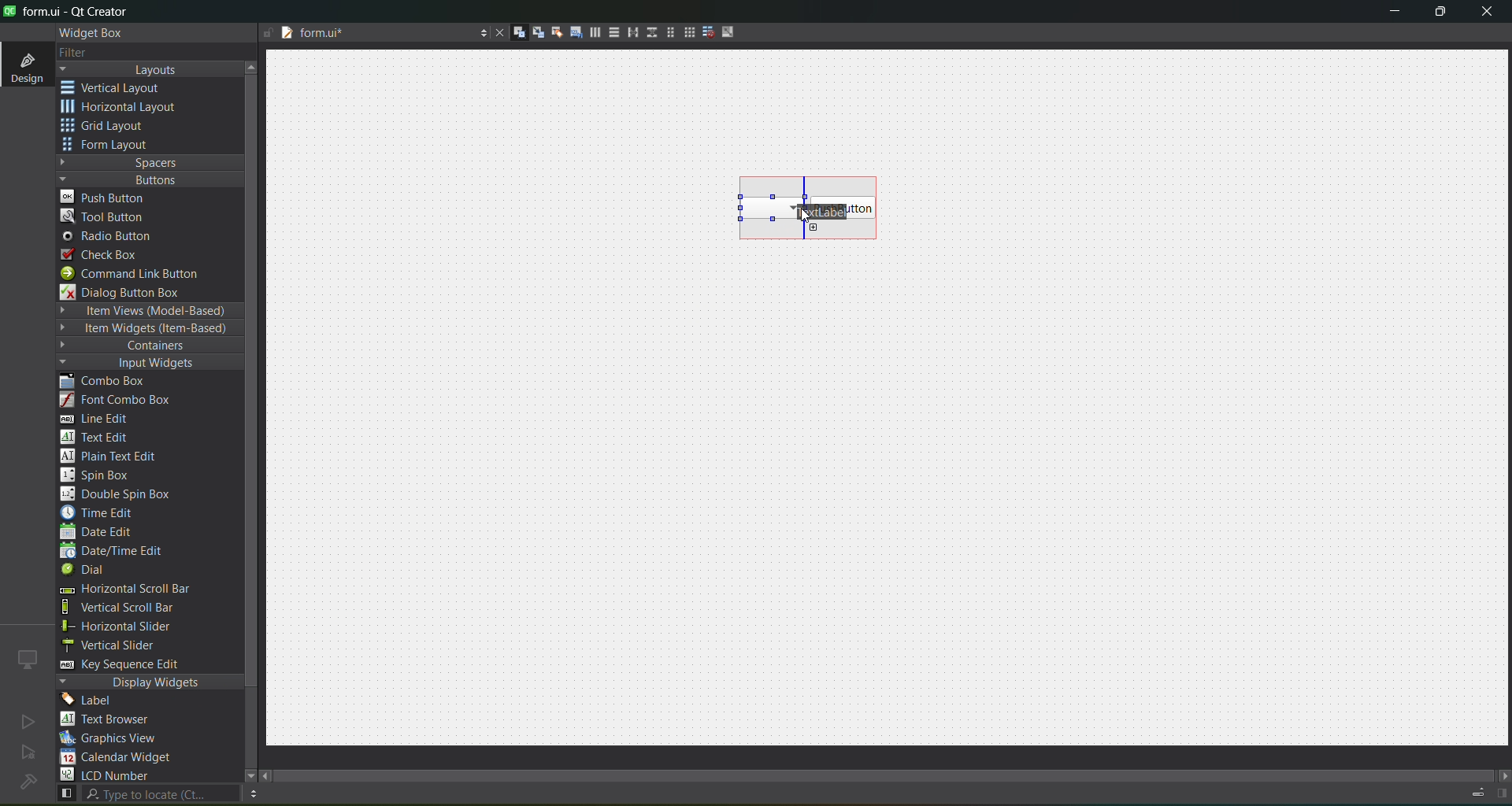  Describe the element at coordinates (109, 775) in the screenshot. I see `lcd number` at that location.